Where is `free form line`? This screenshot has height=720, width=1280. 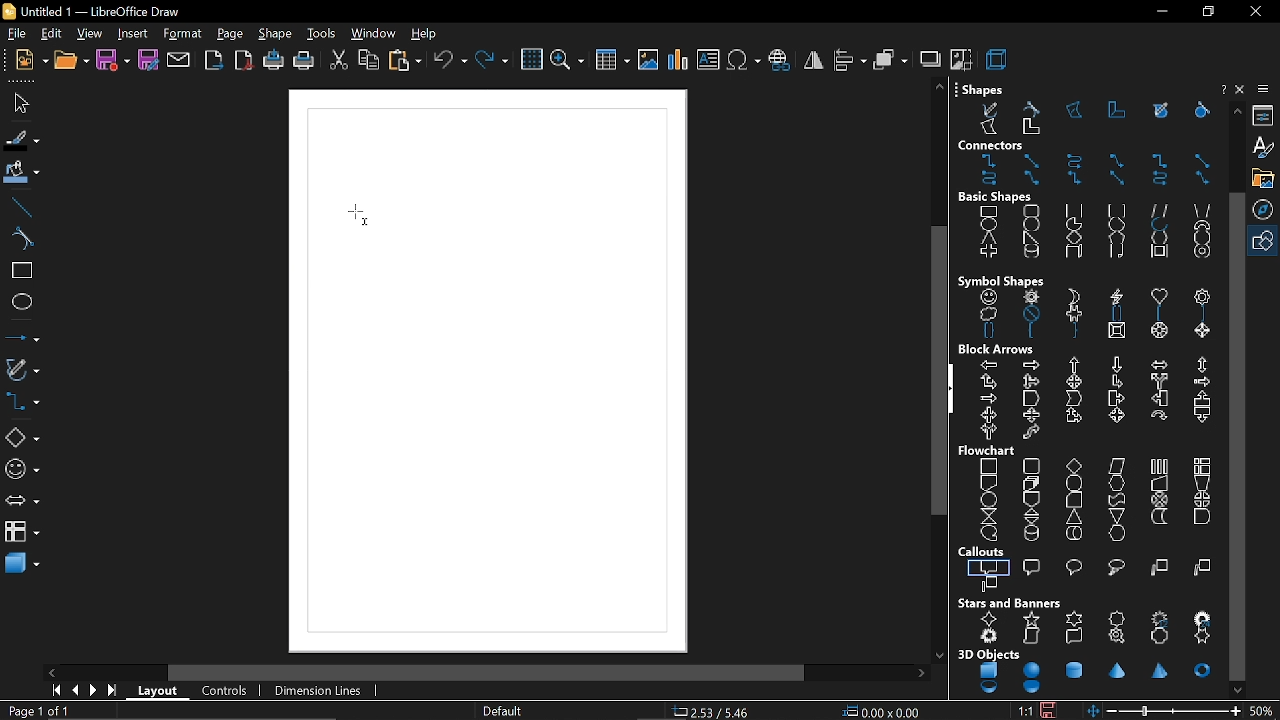 free form line is located at coordinates (988, 108).